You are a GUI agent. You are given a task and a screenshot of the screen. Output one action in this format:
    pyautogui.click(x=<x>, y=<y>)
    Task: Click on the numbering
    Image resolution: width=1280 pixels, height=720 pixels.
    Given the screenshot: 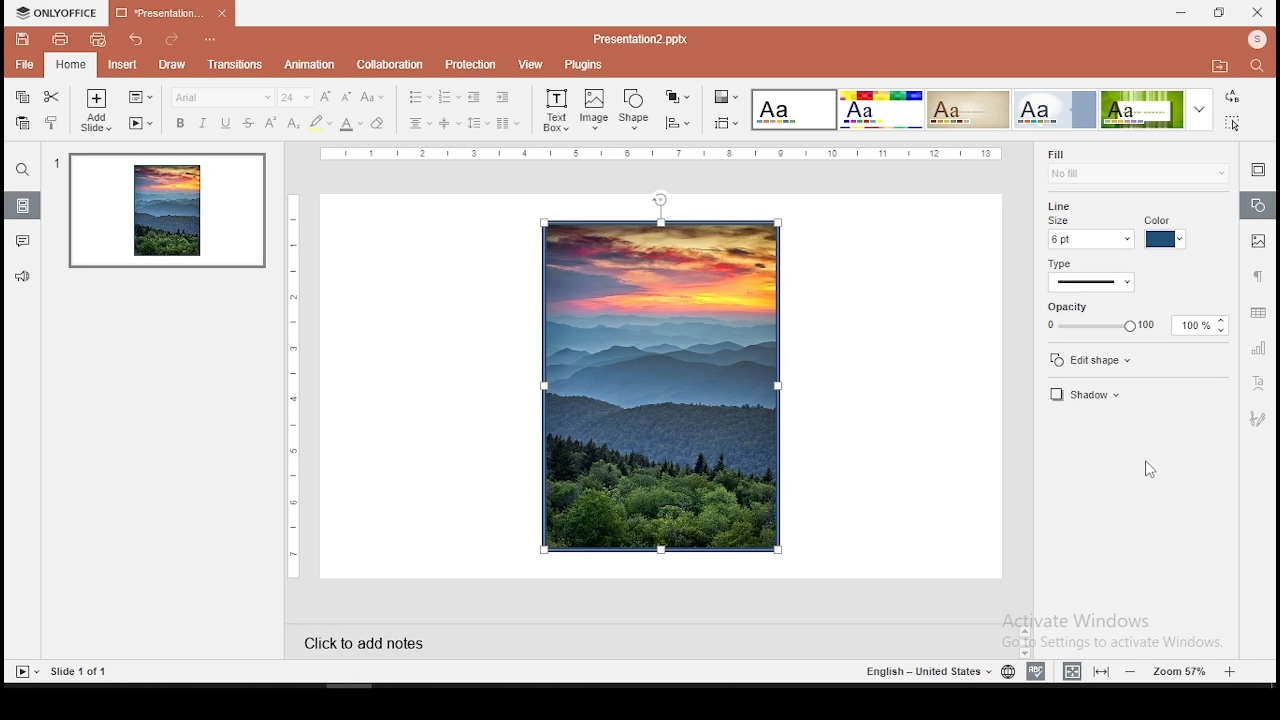 What is the action you would take?
    pyautogui.click(x=448, y=96)
    